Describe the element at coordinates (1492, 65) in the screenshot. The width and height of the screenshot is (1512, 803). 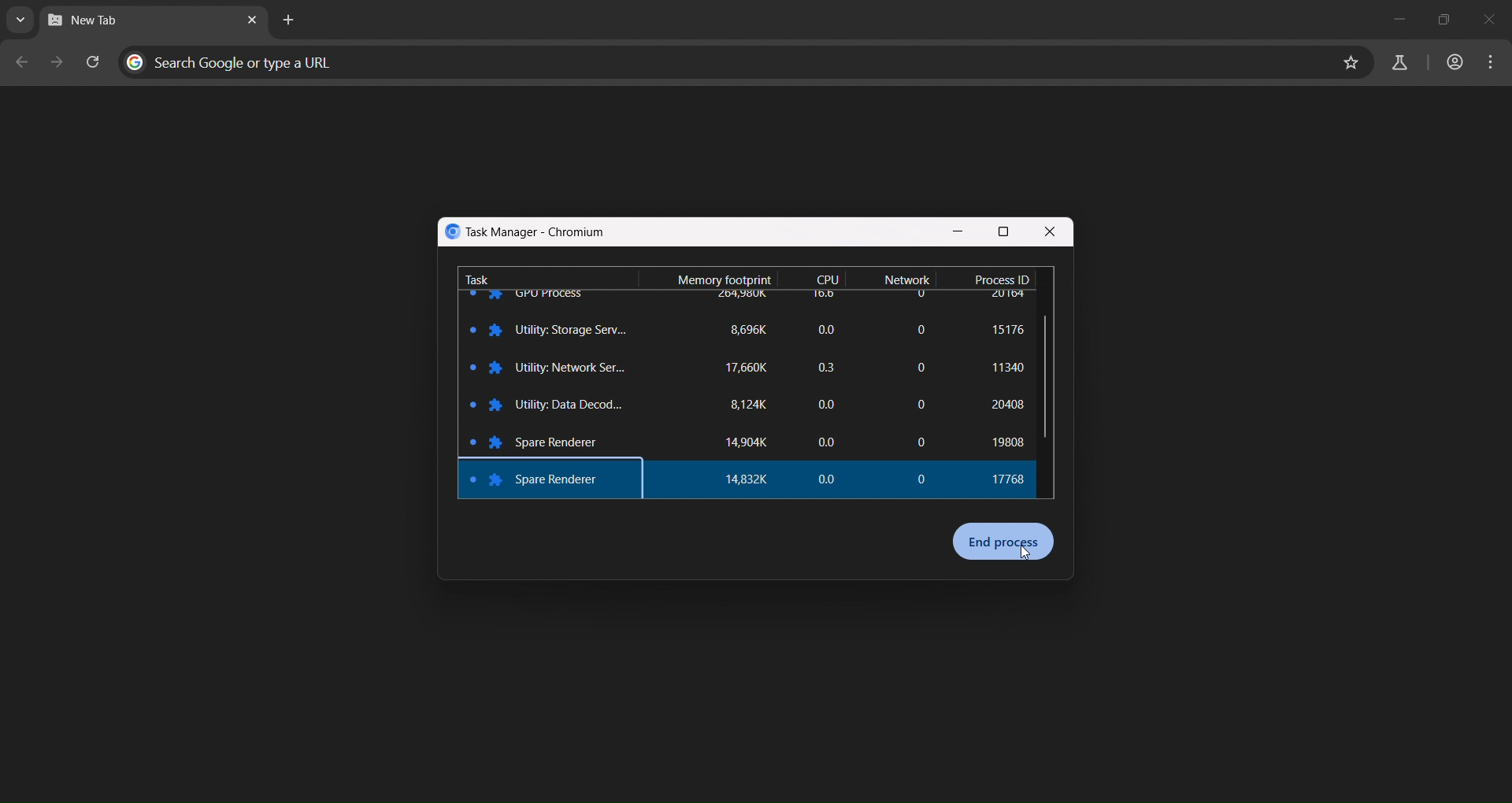
I see `menu` at that location.